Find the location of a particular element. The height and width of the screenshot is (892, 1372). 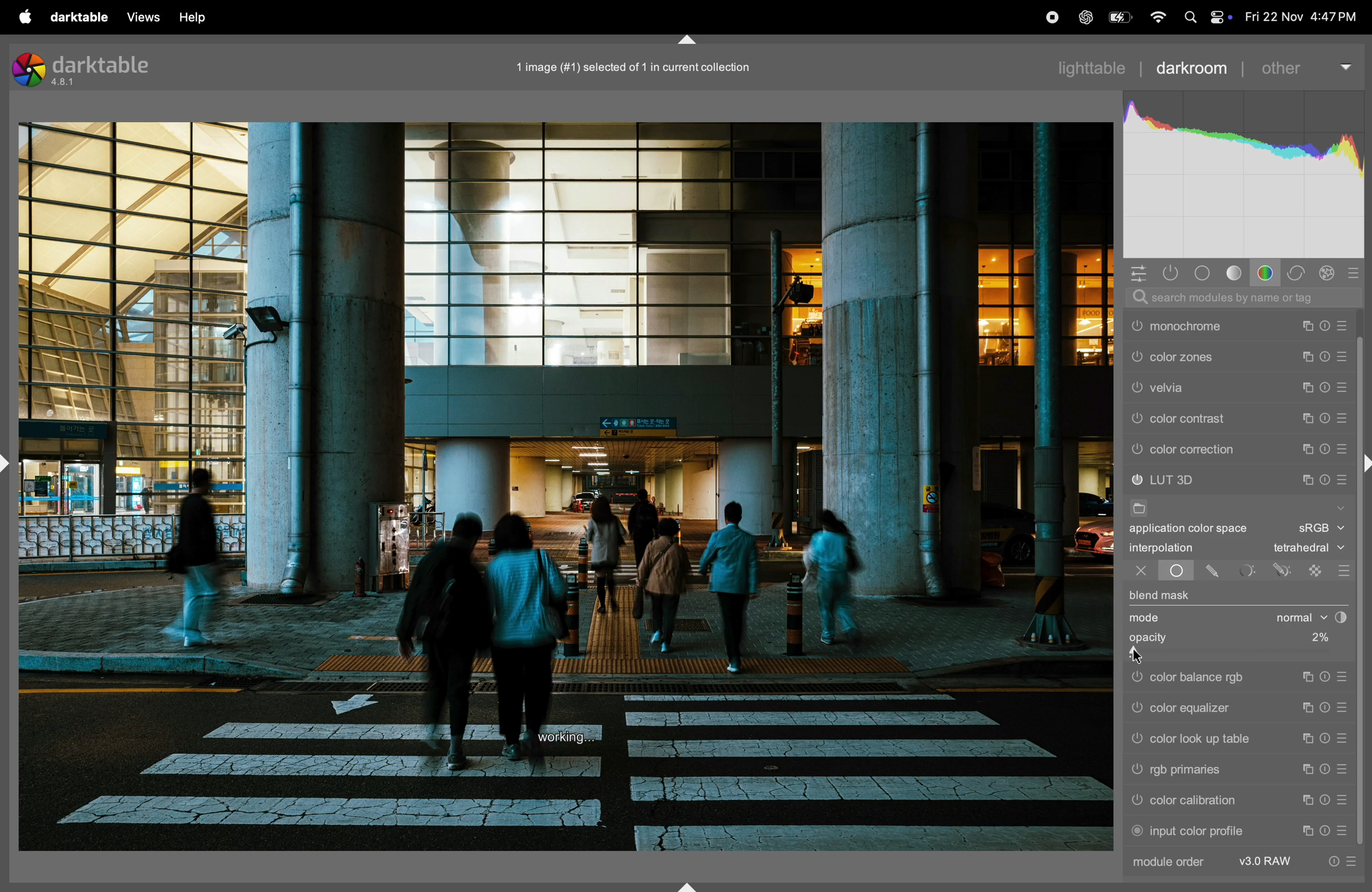

reset is located at coordinates (1325, 830).